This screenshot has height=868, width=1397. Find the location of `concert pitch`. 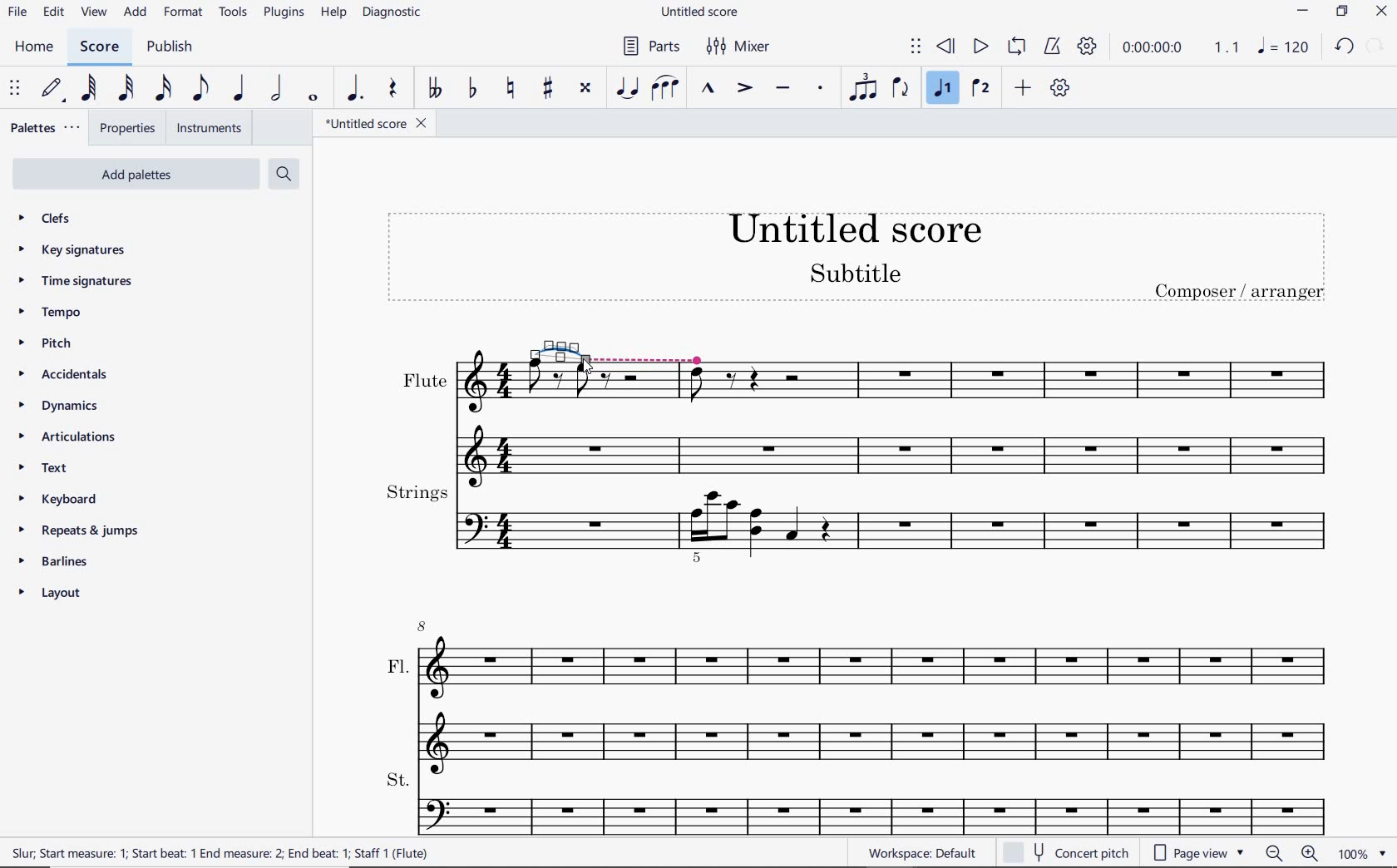

concert pitch is located at coordinates (1067, 852).